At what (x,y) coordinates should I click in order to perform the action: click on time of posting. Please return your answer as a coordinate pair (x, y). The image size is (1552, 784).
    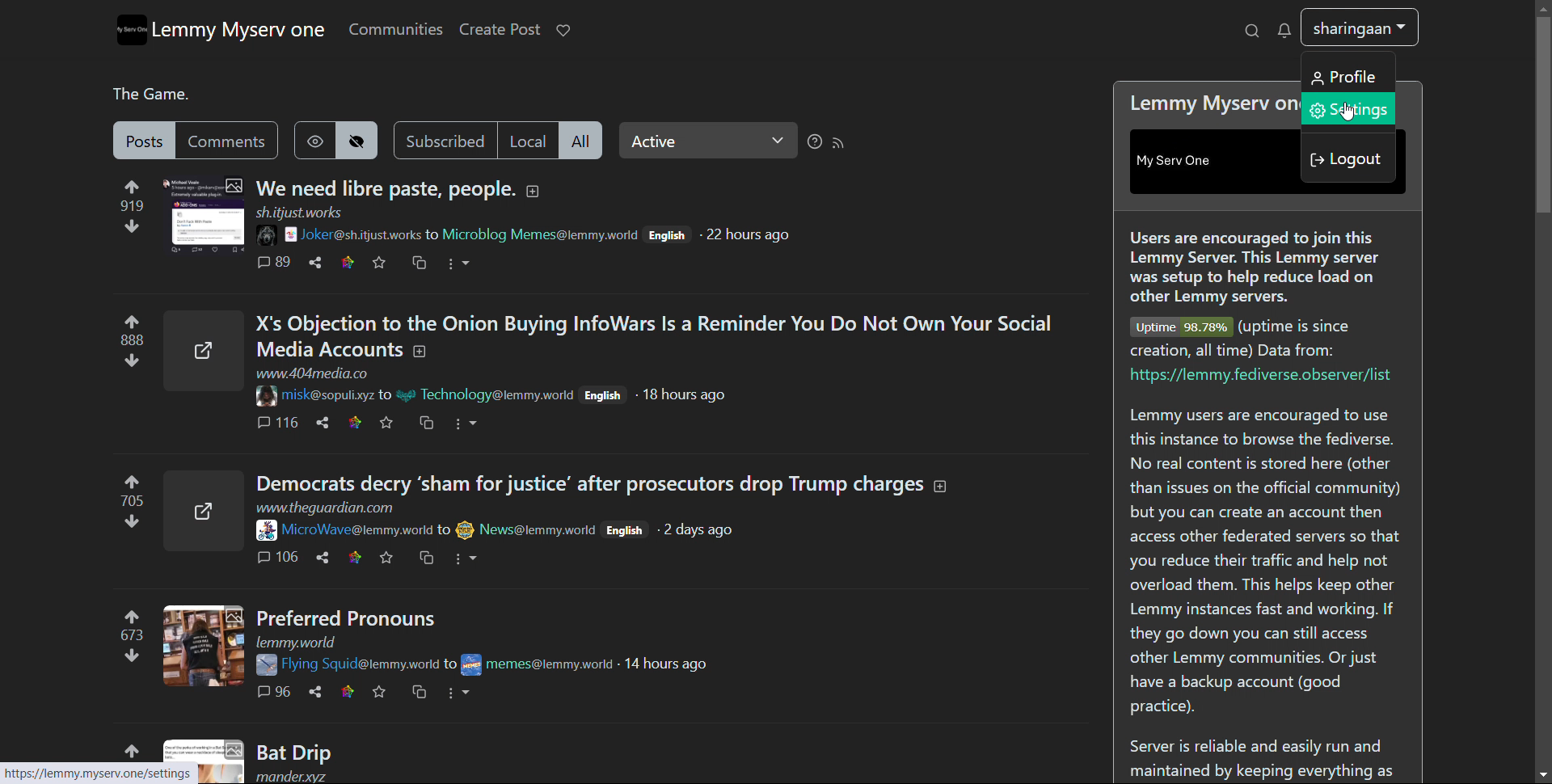
    Looking at the image, I should click on (692, 399).